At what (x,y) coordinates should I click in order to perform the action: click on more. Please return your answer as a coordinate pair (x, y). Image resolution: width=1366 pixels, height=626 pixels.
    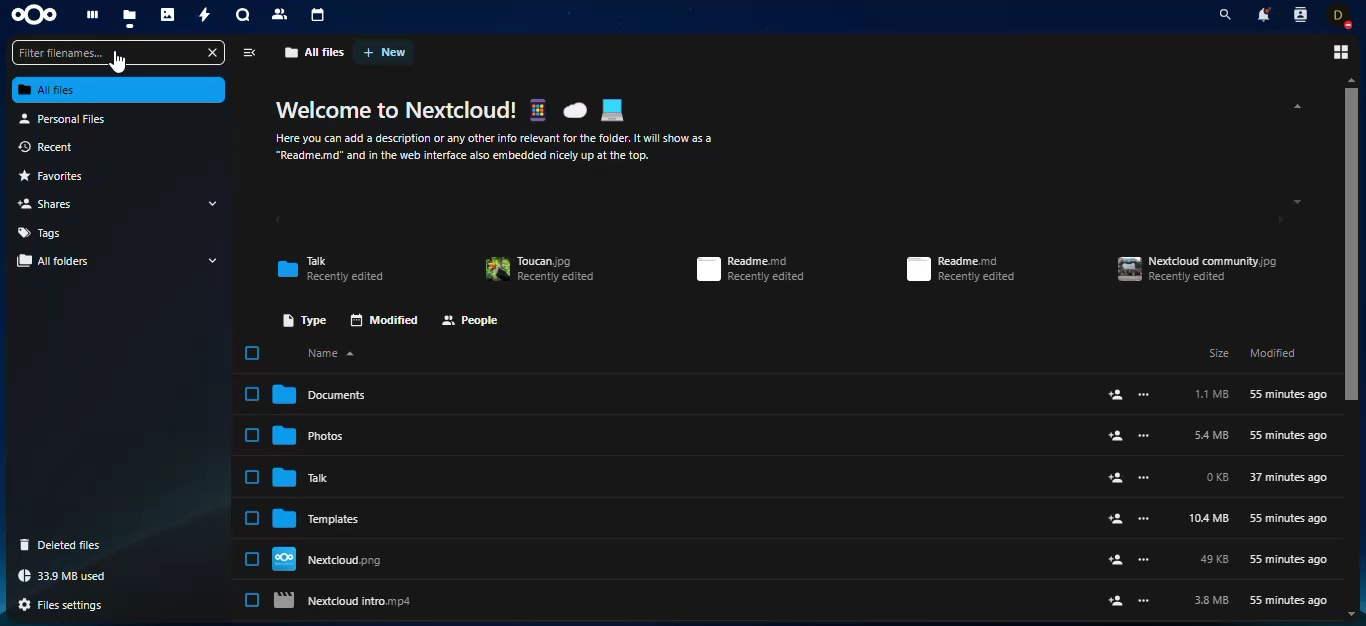
    Looking at the image, I should click on (1145, 394).